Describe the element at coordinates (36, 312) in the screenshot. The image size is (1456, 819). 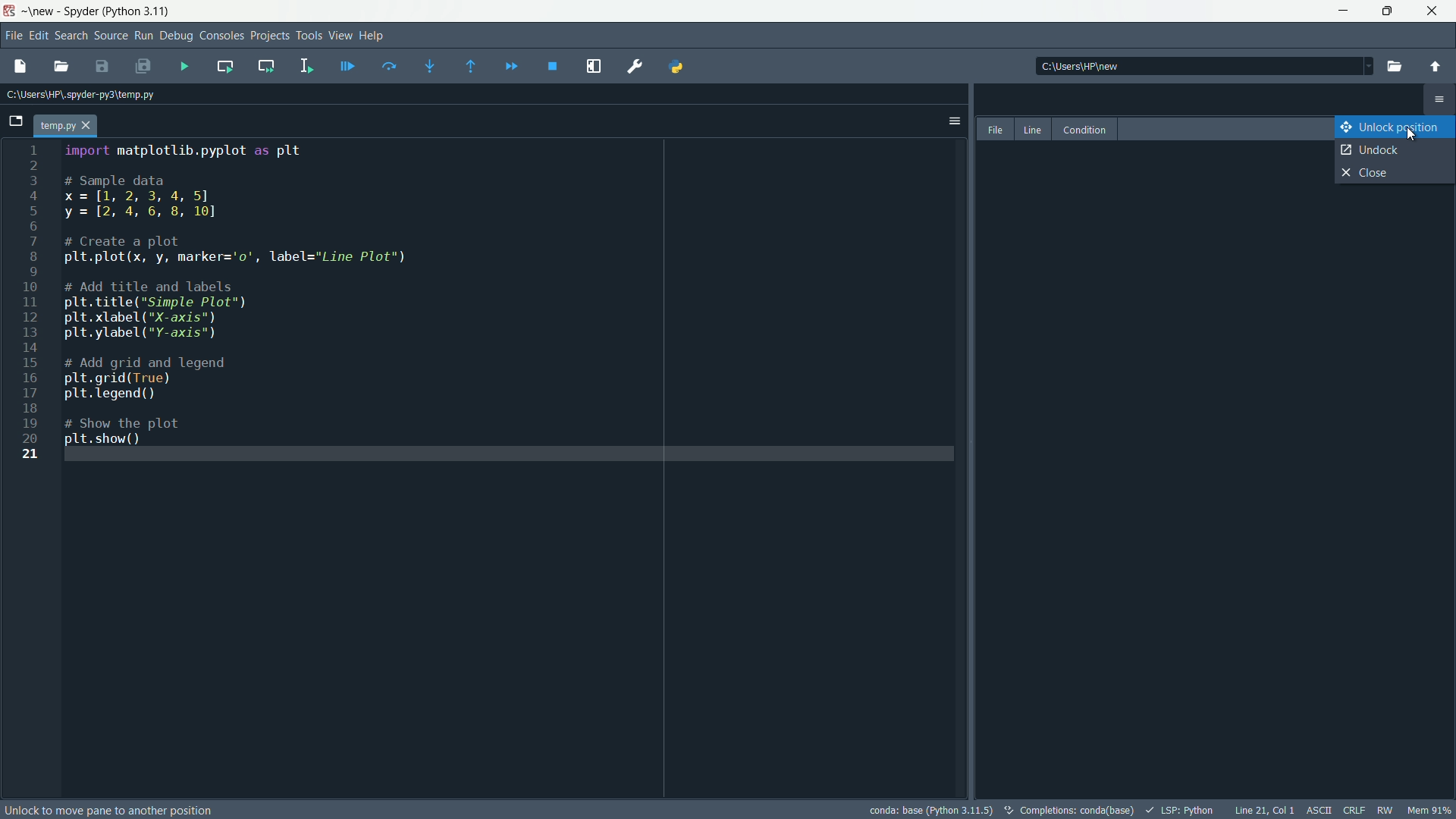
I see `1 2 3 4 5 6 7 8 9 10 11 12 13 14 15 16 17 18 19 20 21` at that location.